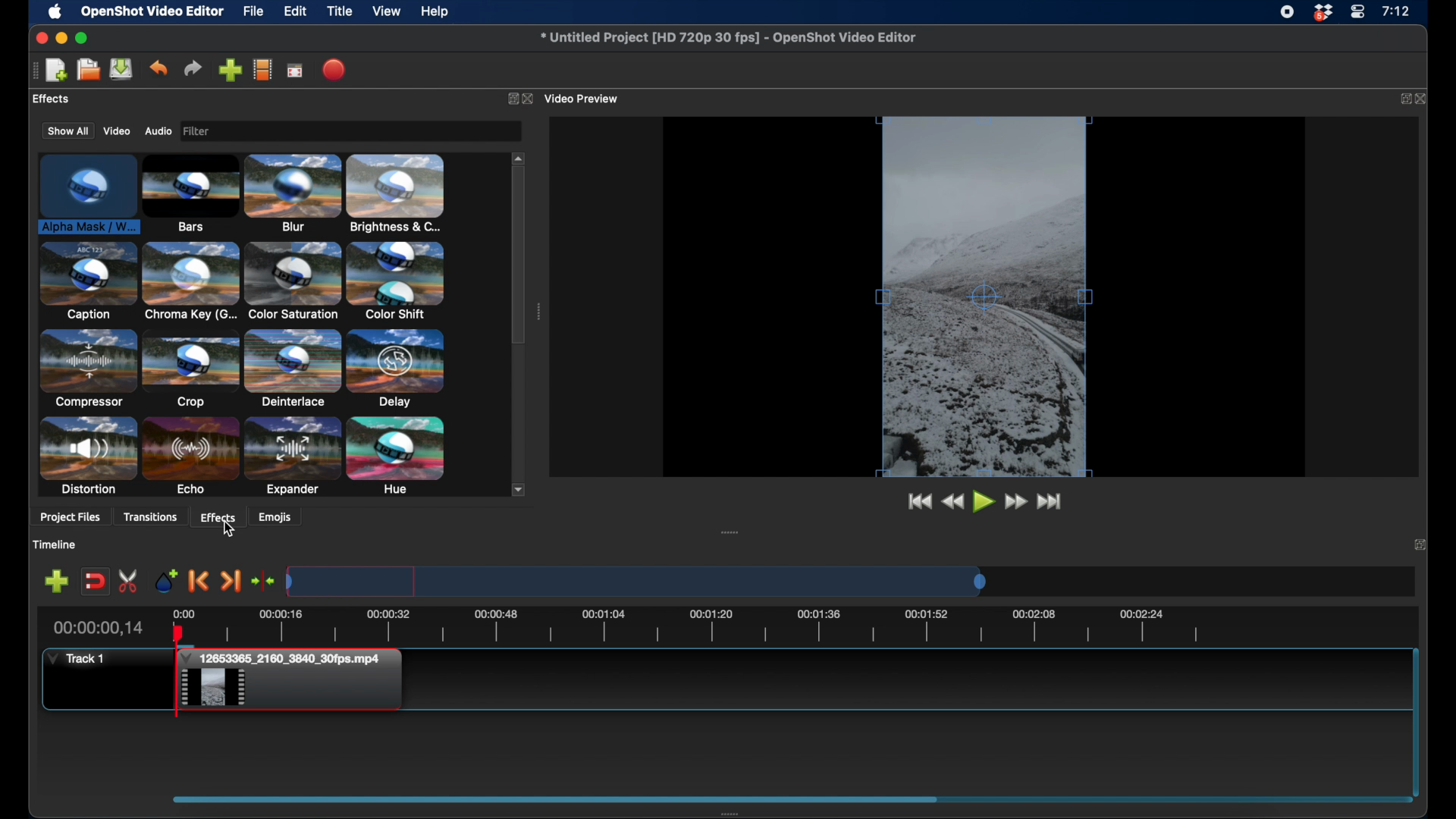 Image resolution: width=1456 pixels, height=819 pixels. What do you see at coordinates (183, 613) in the screenshot?
I see `0.00` at bounding box center [183, 613].